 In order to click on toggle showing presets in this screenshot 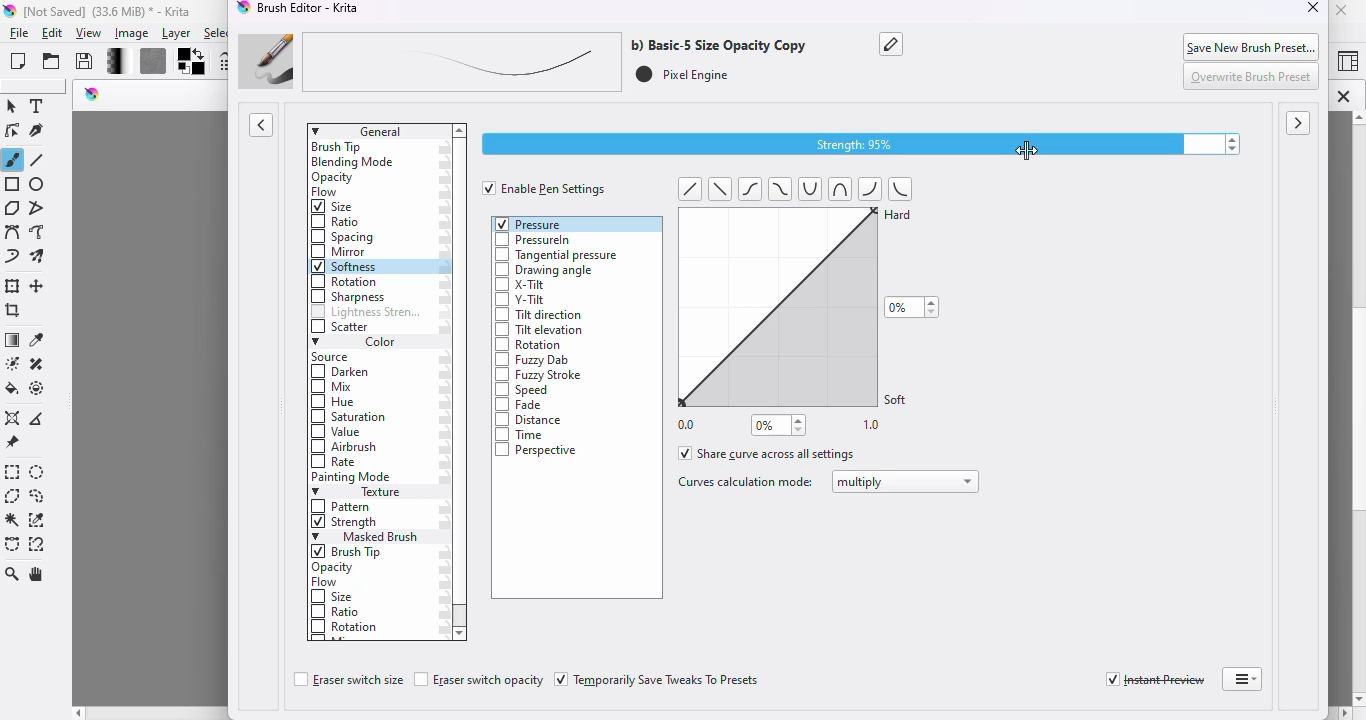, I will do `click(262, 125)`.